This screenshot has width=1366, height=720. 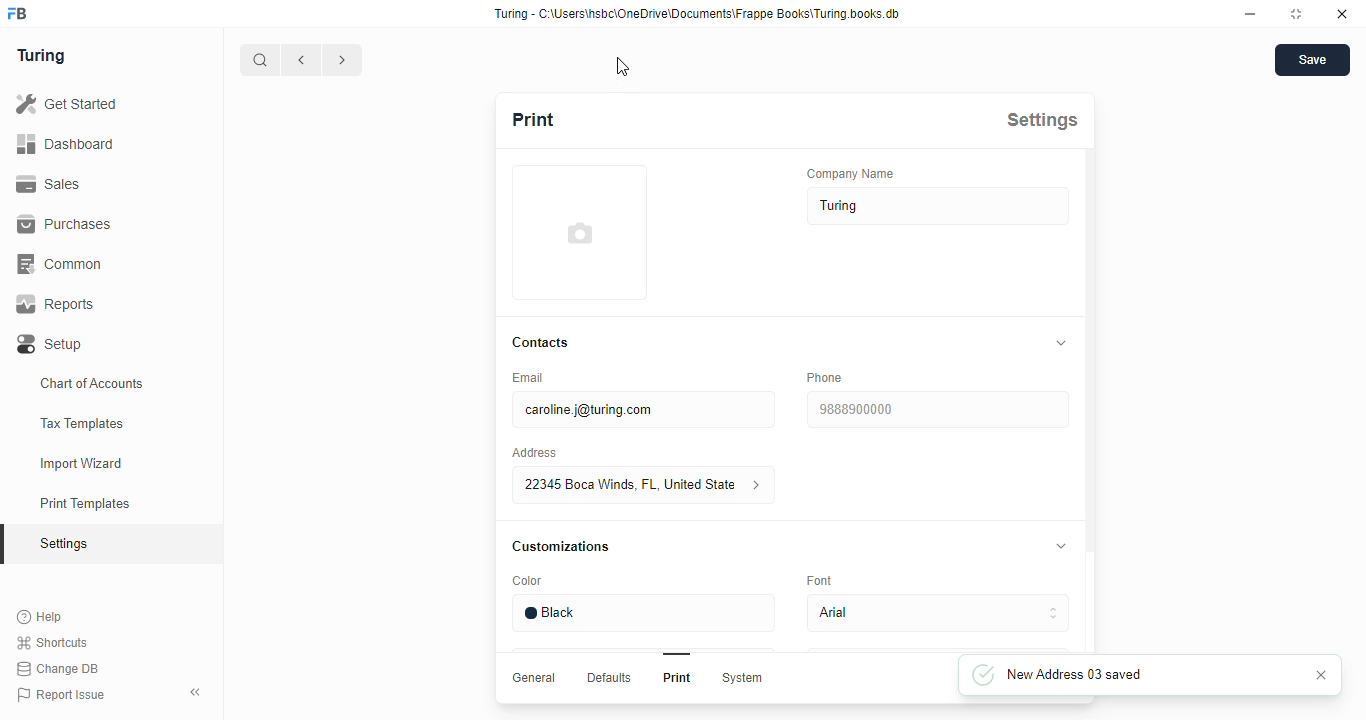 What do you see at coordinates (851, 173) in the screenshot?
I see `company name` at bounding box center [851, 173].